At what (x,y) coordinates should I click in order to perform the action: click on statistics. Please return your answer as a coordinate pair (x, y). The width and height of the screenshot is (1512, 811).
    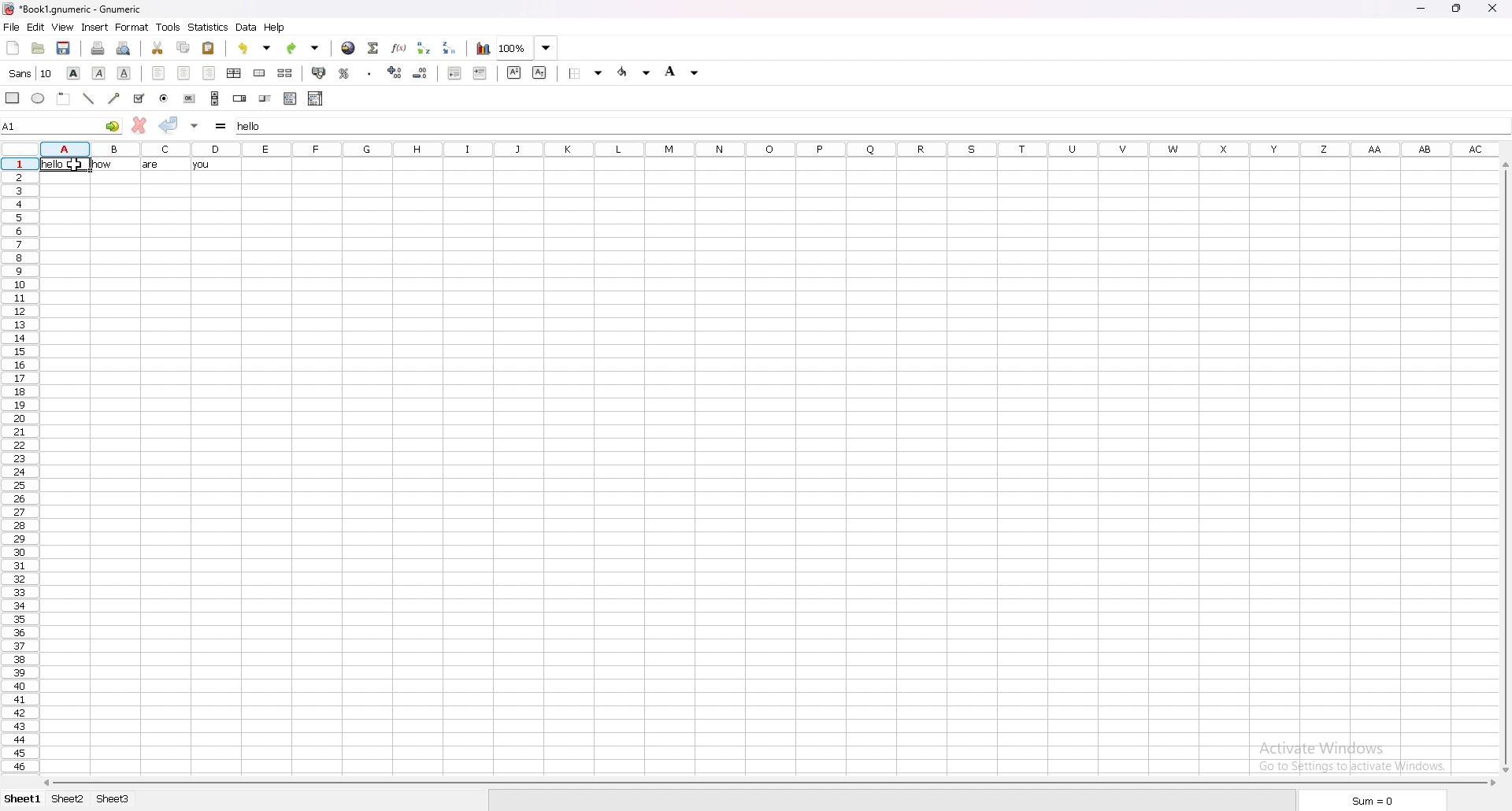
    Looking at the image, I should click on (209, 27).